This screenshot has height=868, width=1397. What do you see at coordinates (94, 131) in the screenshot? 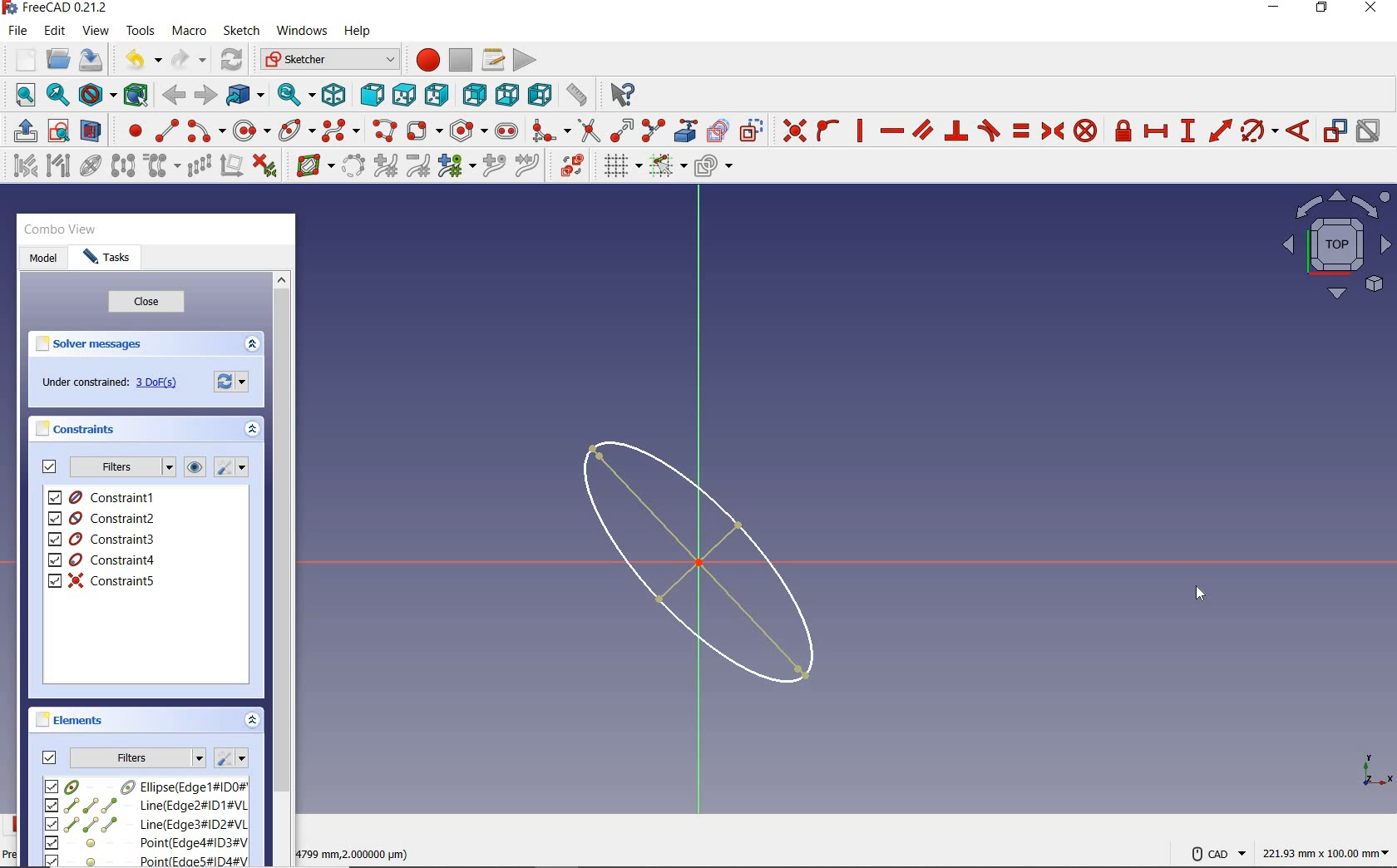
I see `view section` at bounding box center [94, 131].